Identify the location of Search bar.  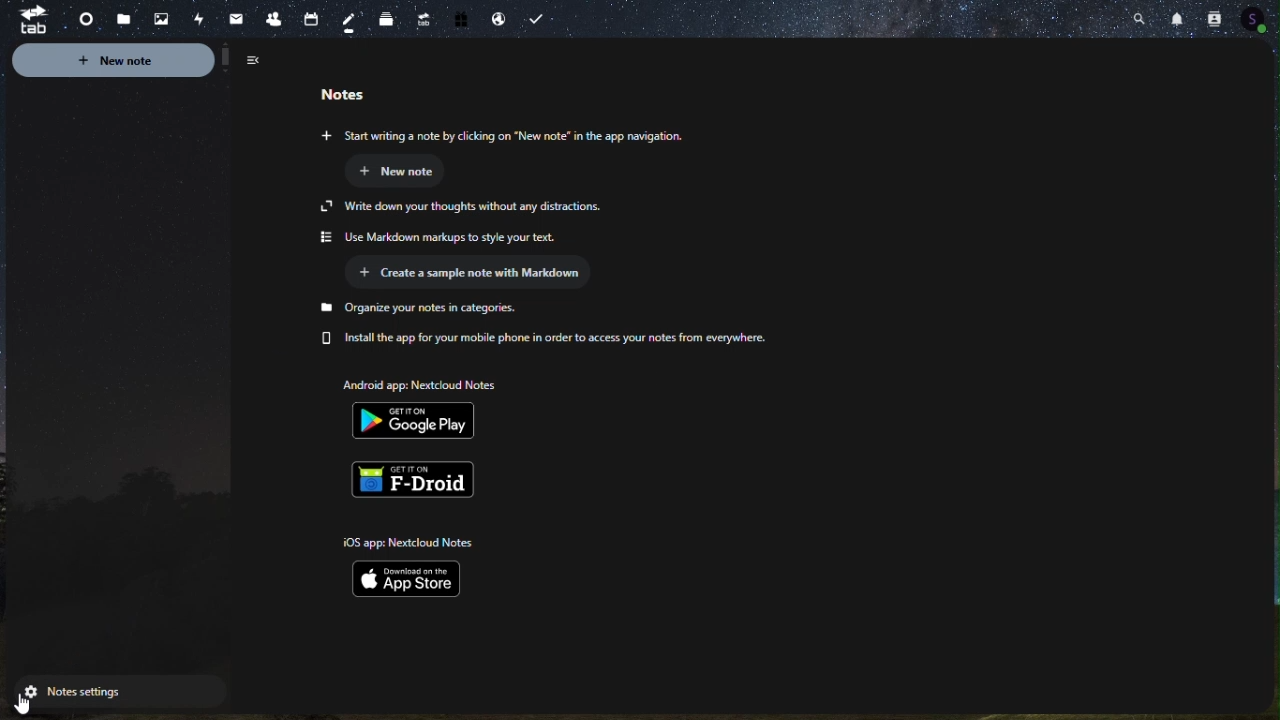
(1137, 17).